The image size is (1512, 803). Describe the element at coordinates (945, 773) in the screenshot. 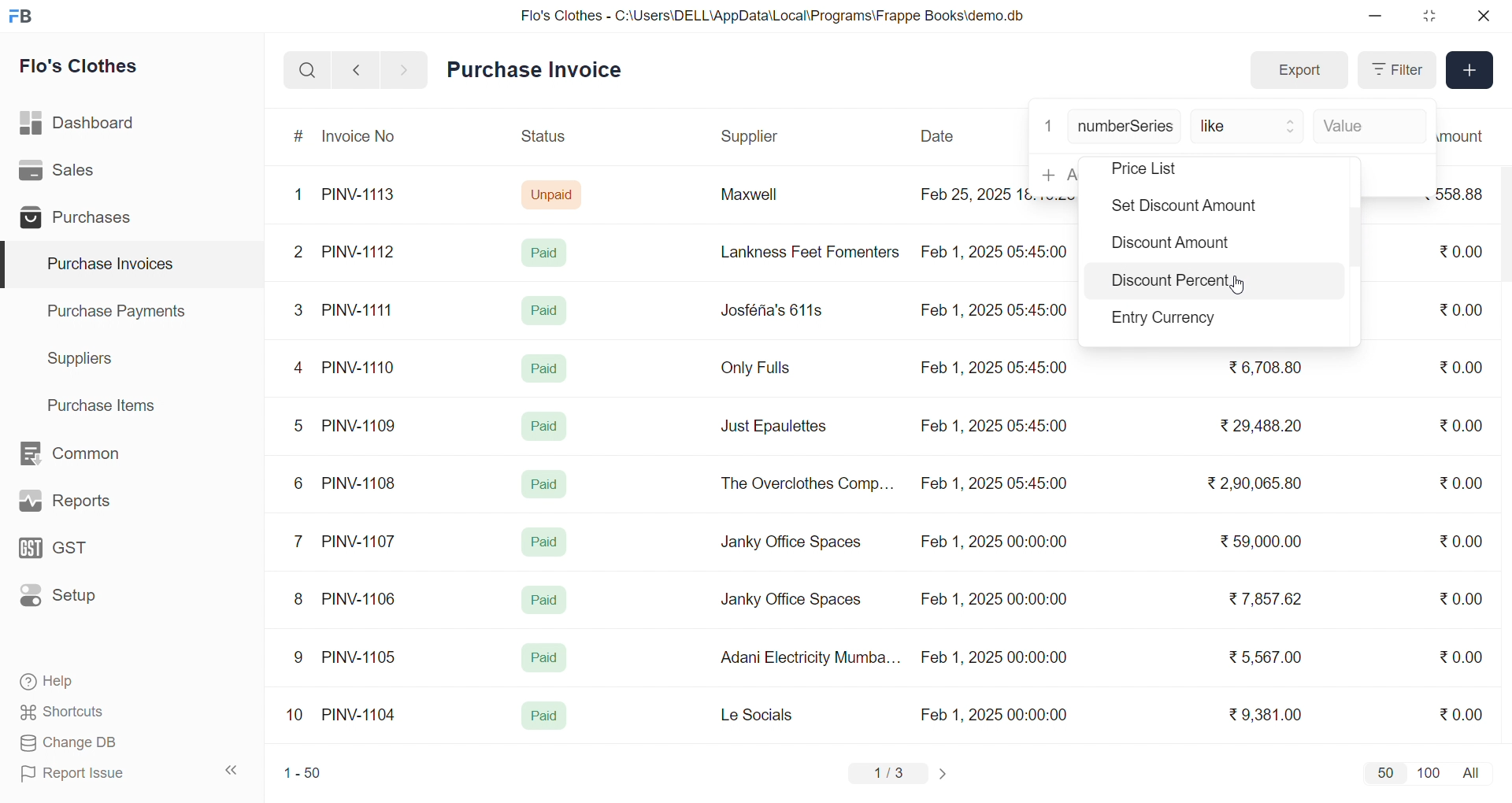

I see `change page` at that location.